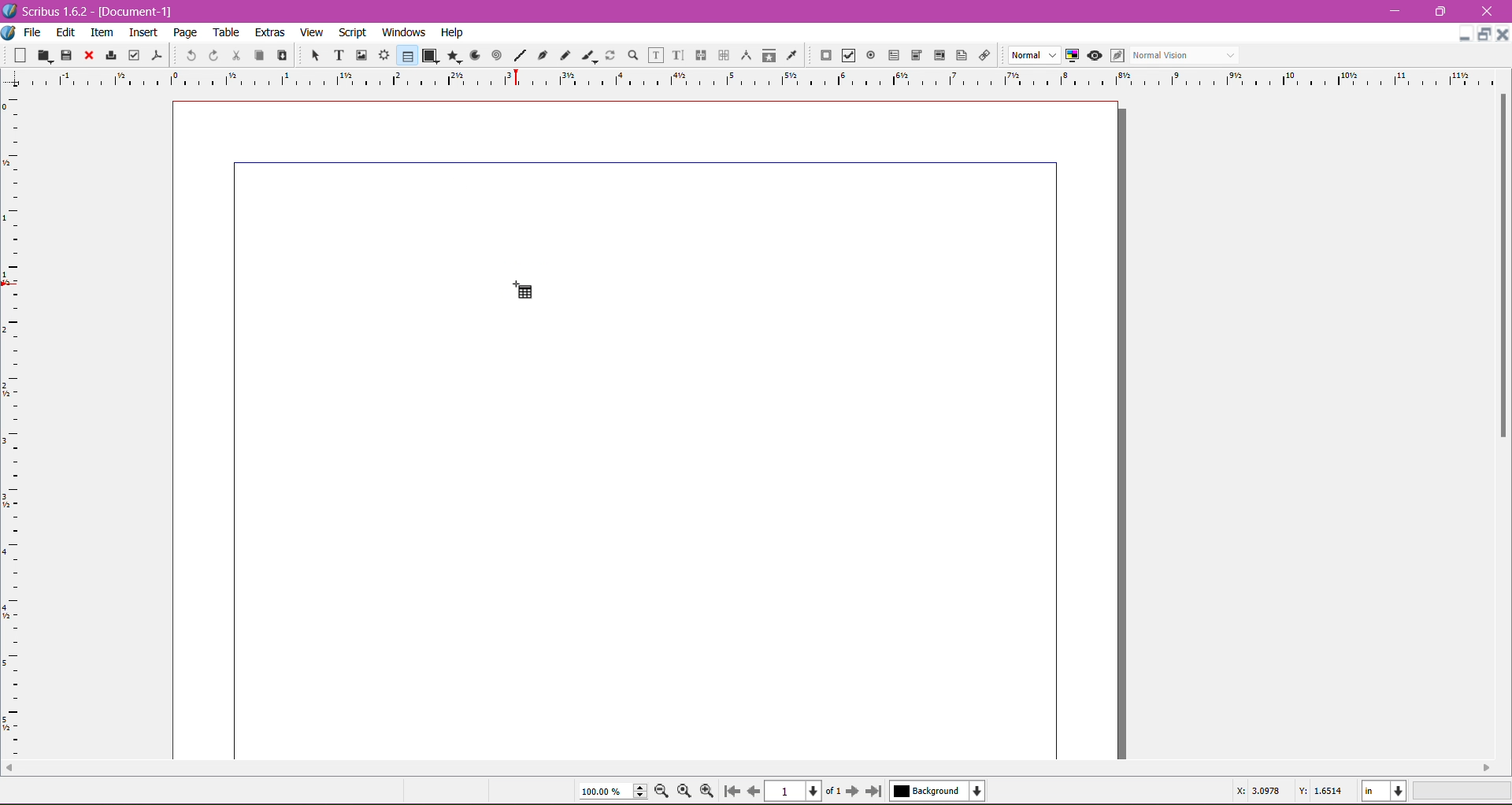 This screenshot has width=1512, height=805. I want to click on Zoom to 100%, so click(686, 792).